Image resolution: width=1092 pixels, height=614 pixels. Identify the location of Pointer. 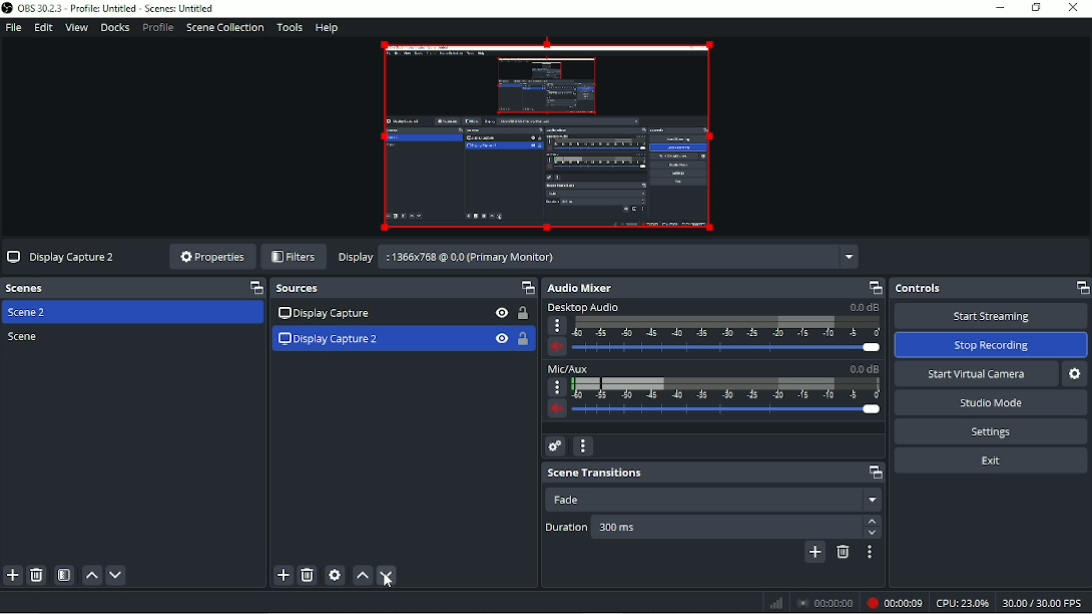
(390, 585).